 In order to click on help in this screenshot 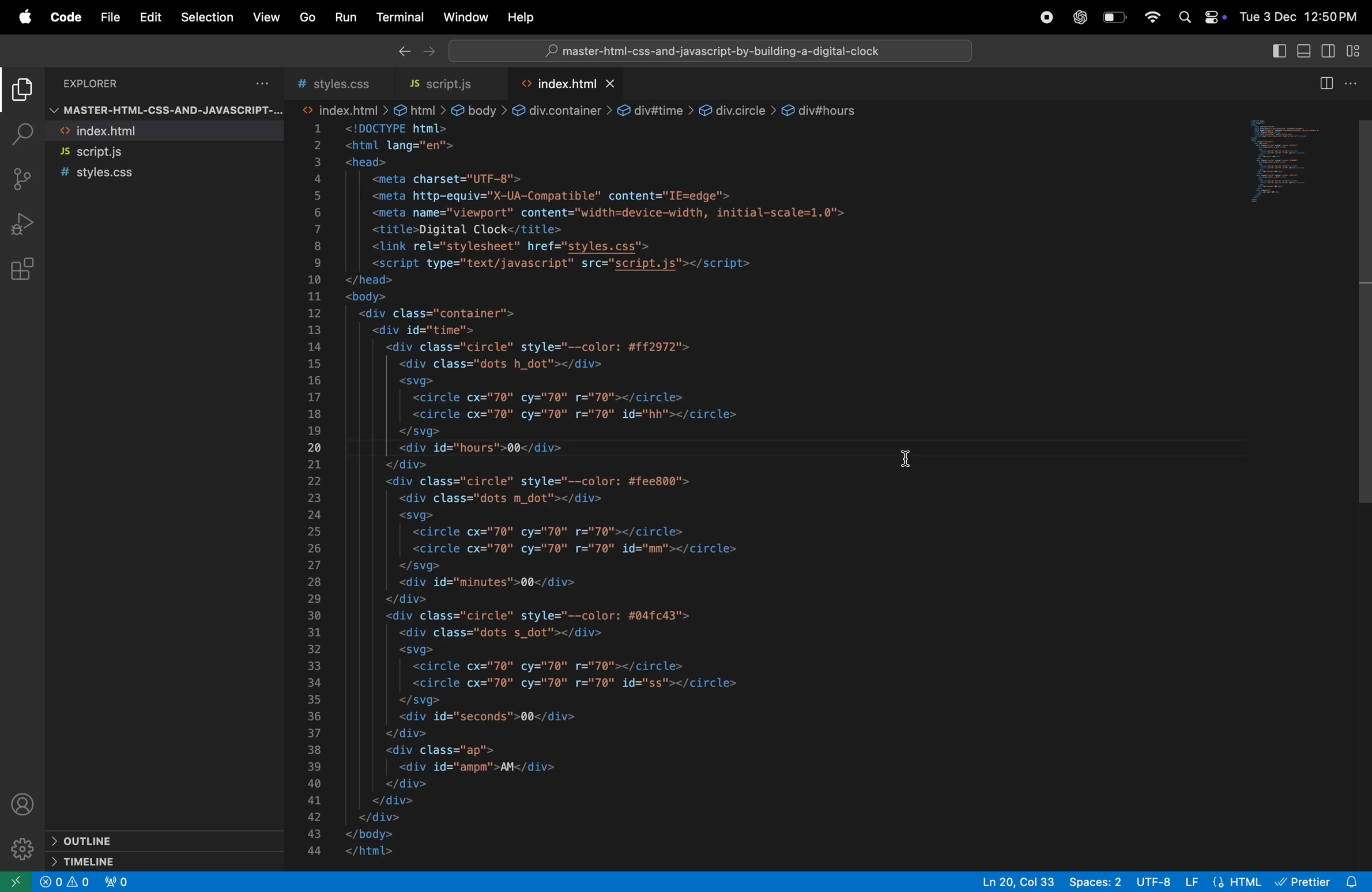, I will do `click(522, 16)`.